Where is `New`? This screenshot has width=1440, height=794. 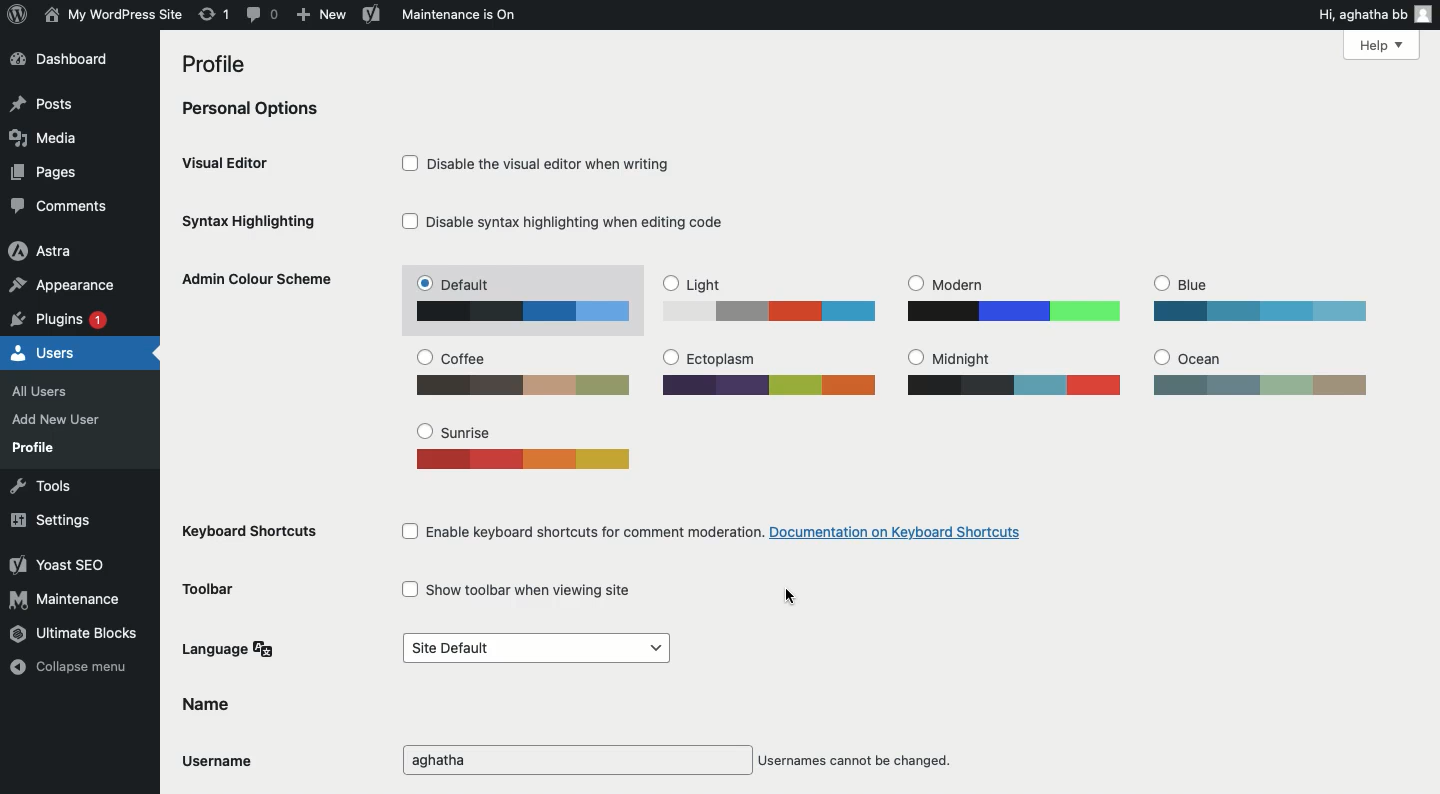 New is located at coordinates (322, 15).